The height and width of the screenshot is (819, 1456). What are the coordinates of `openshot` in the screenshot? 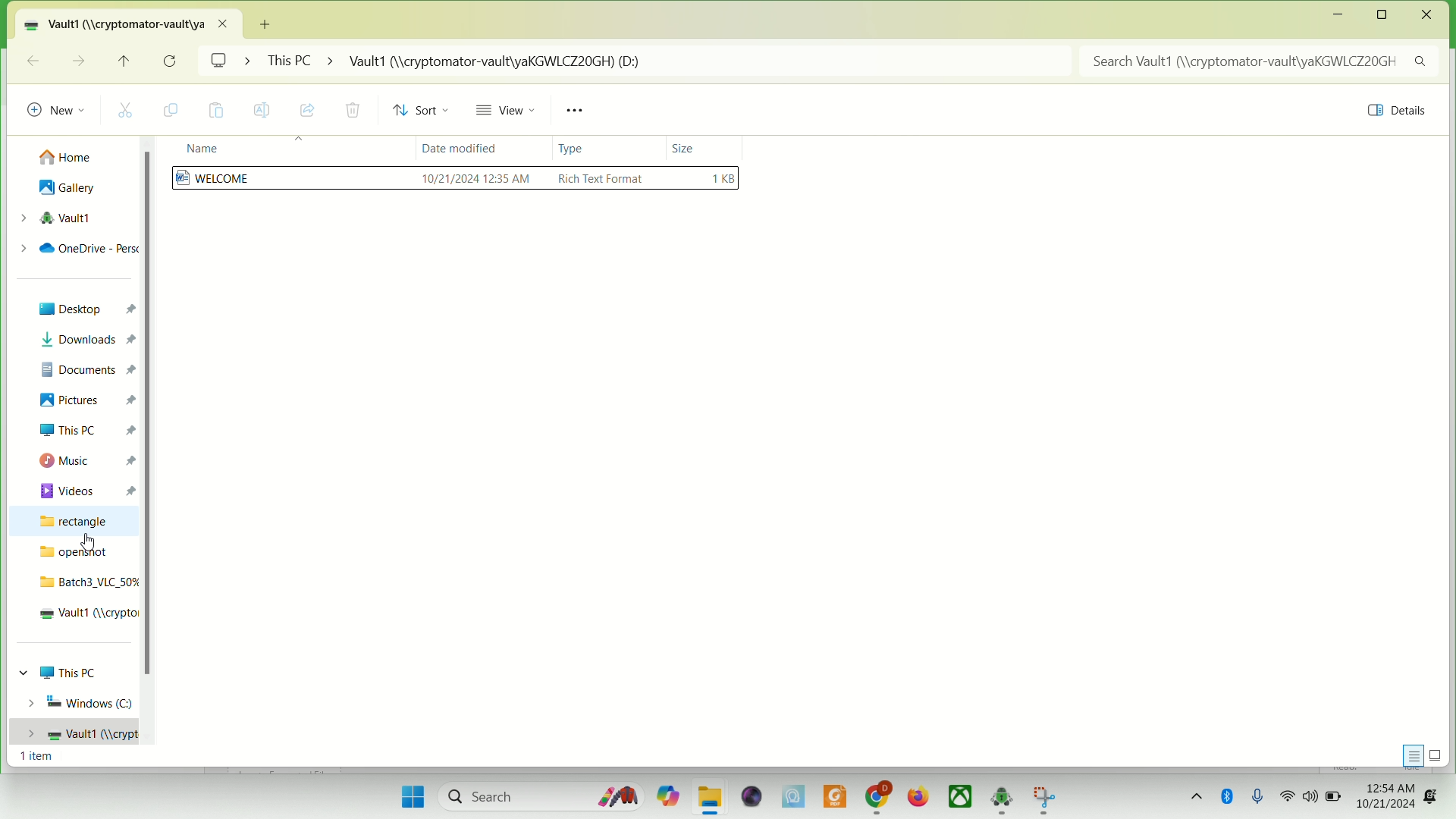 It's located at (74, 554).